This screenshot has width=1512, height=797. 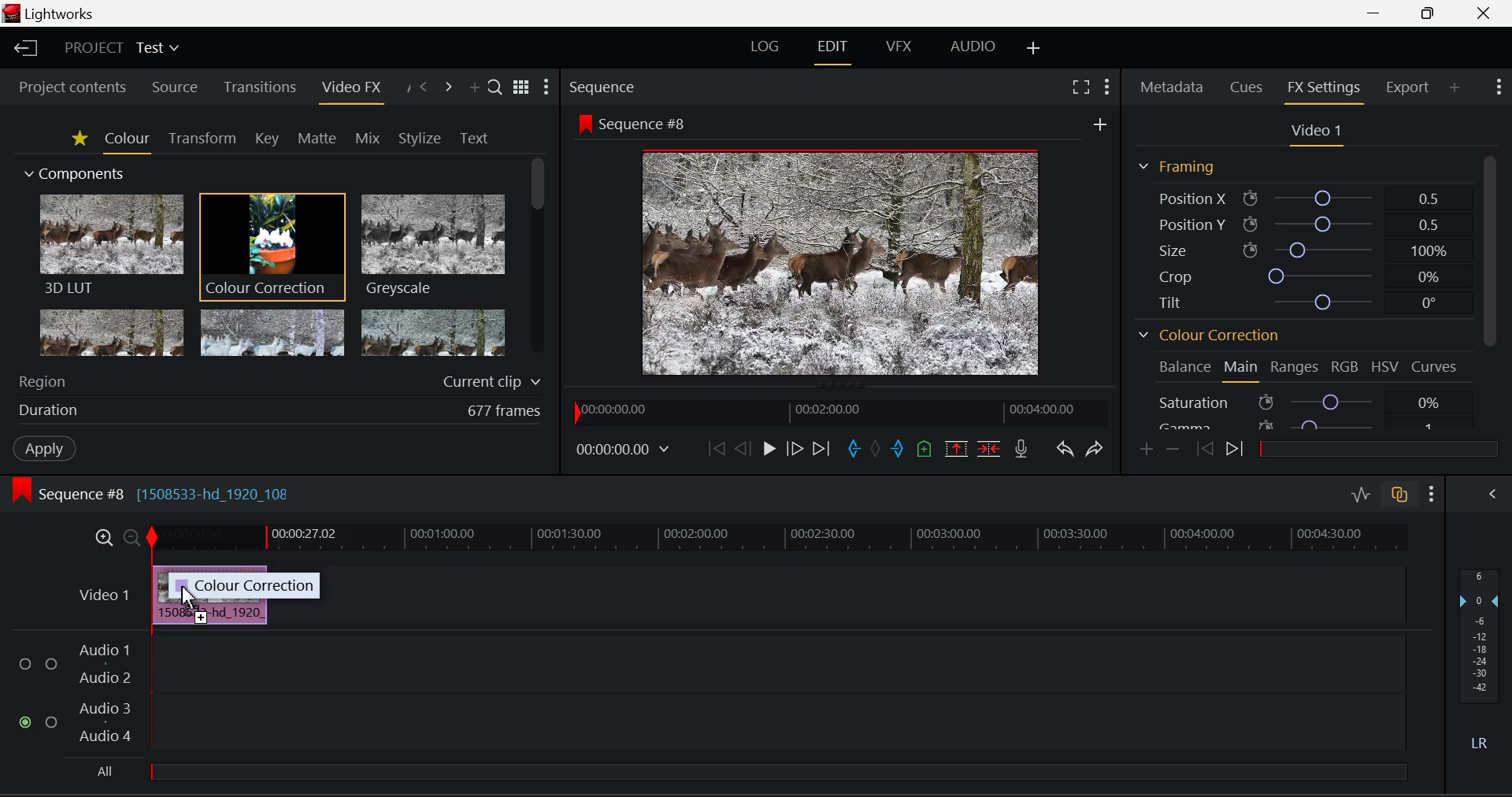 I want to click on Size, so click(x=1296, y=250).